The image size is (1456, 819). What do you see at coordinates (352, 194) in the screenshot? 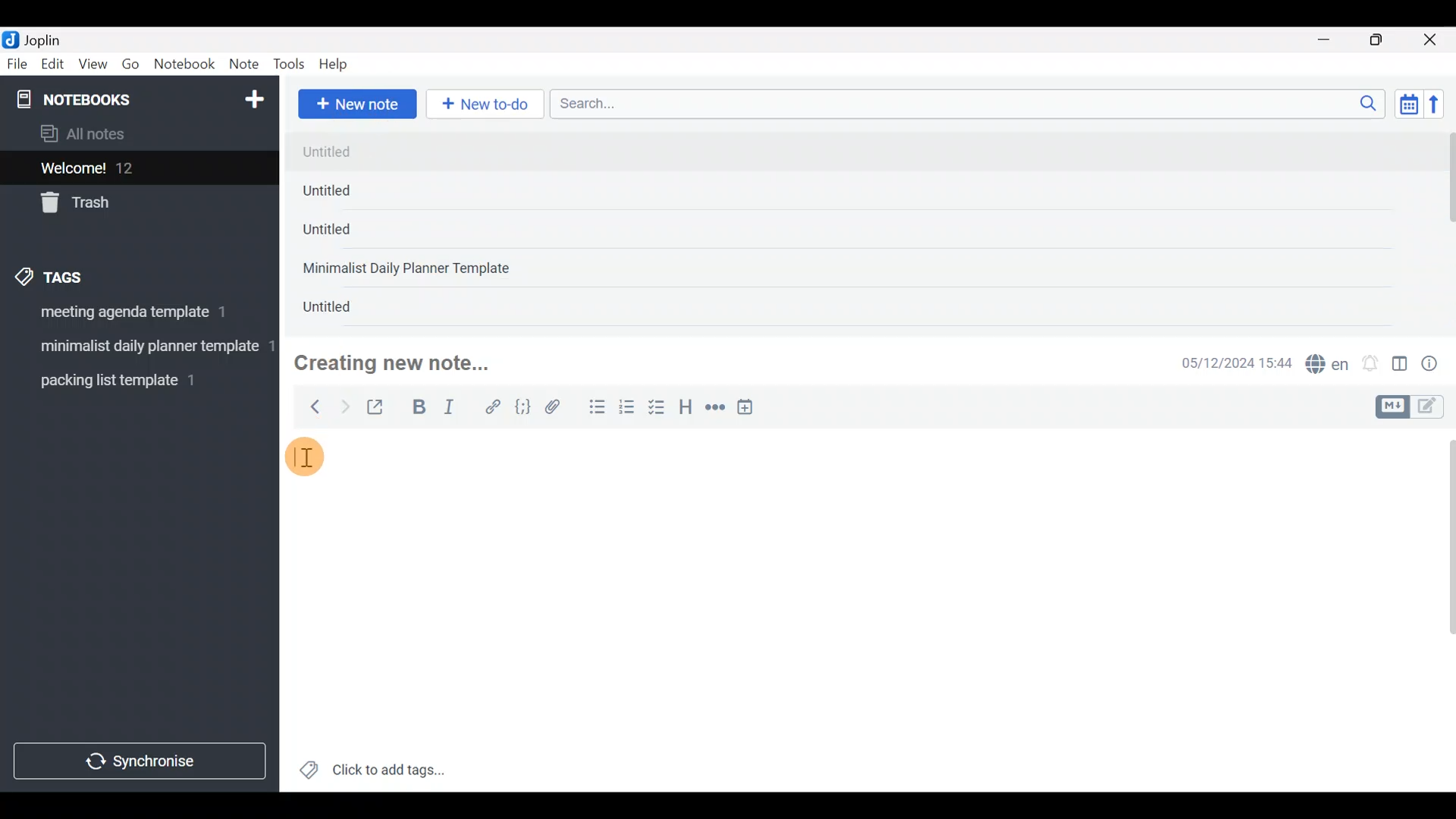
I see `Untitled` at bounding box center [352, 194].